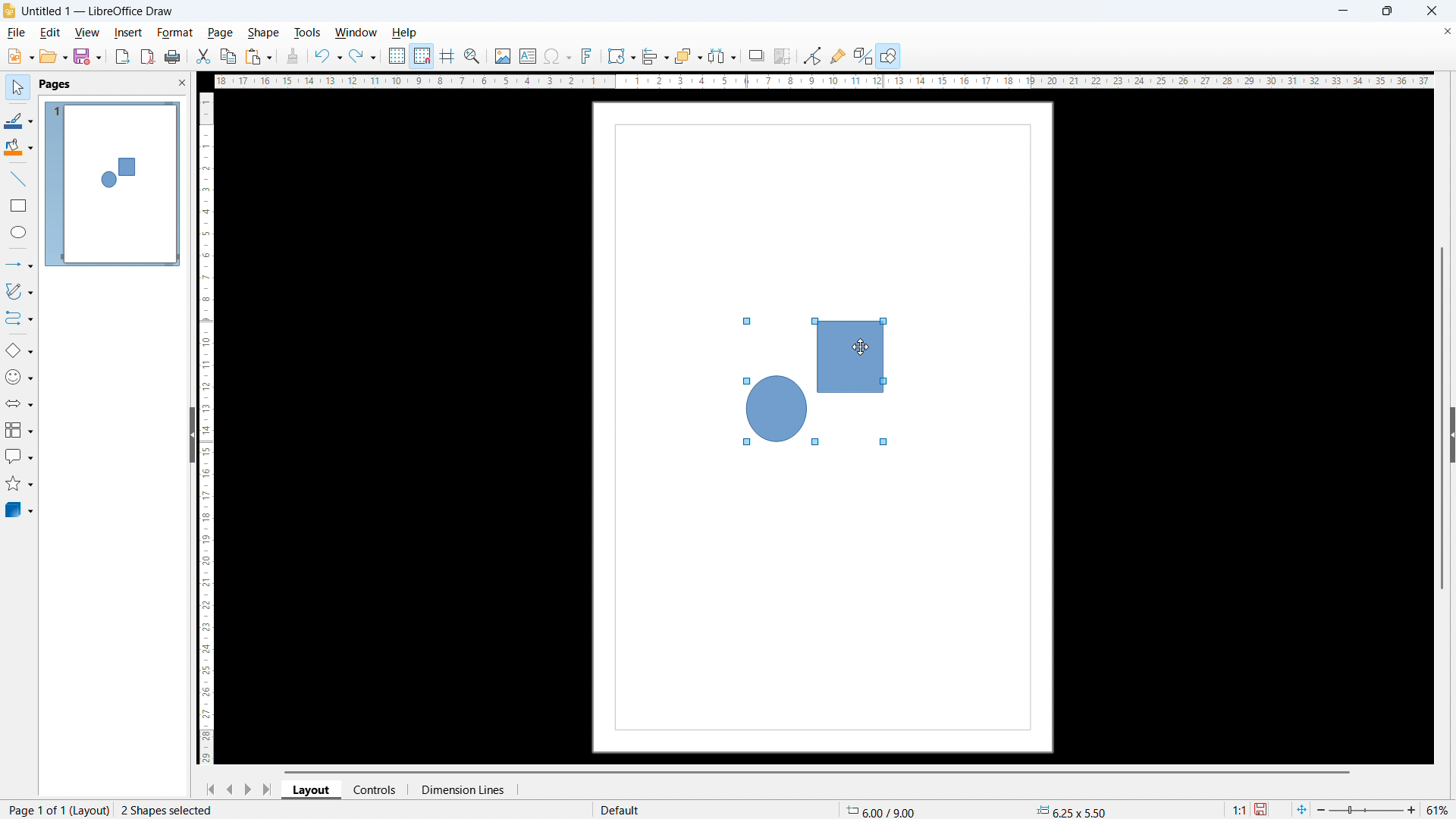 The image size is (1456, 819). What do you see at coordinates (174, 57) in the screenshot?
I see `print` at bounding box center [174, 57].